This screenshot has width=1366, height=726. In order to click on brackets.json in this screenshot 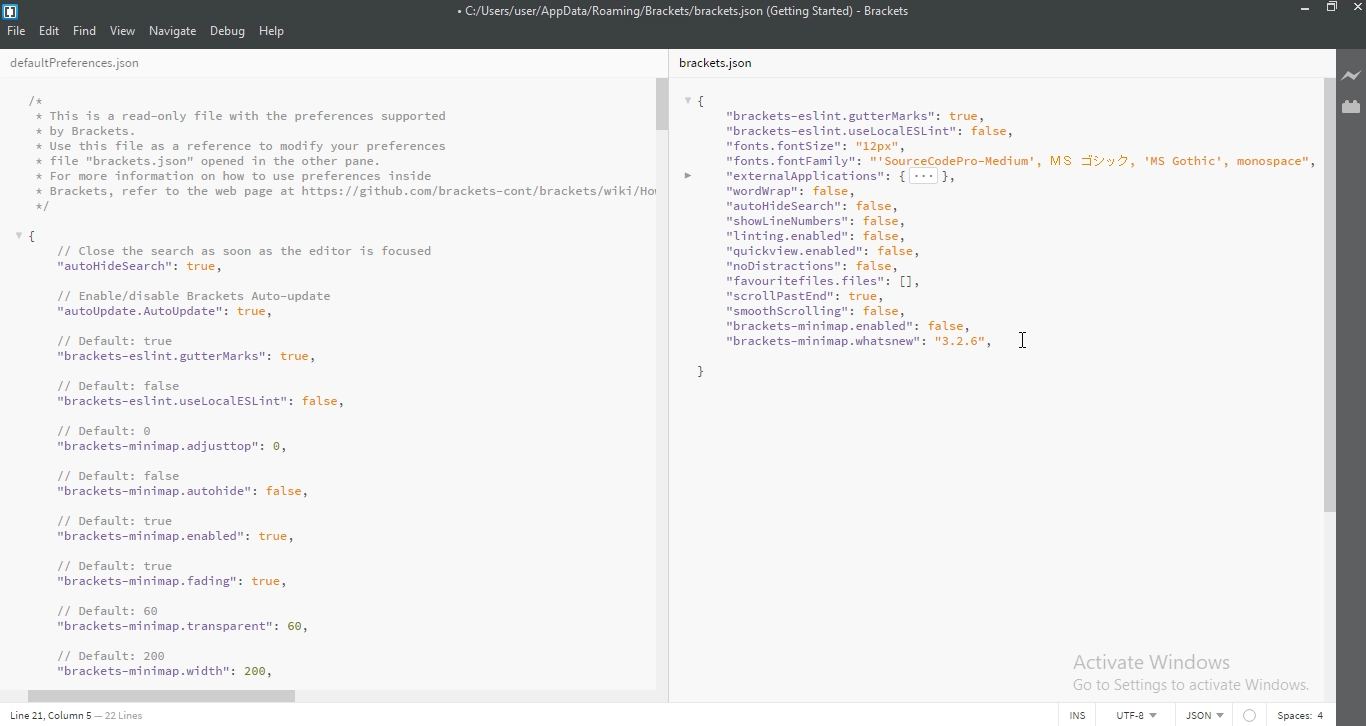, I will do `click(722, 64)`.